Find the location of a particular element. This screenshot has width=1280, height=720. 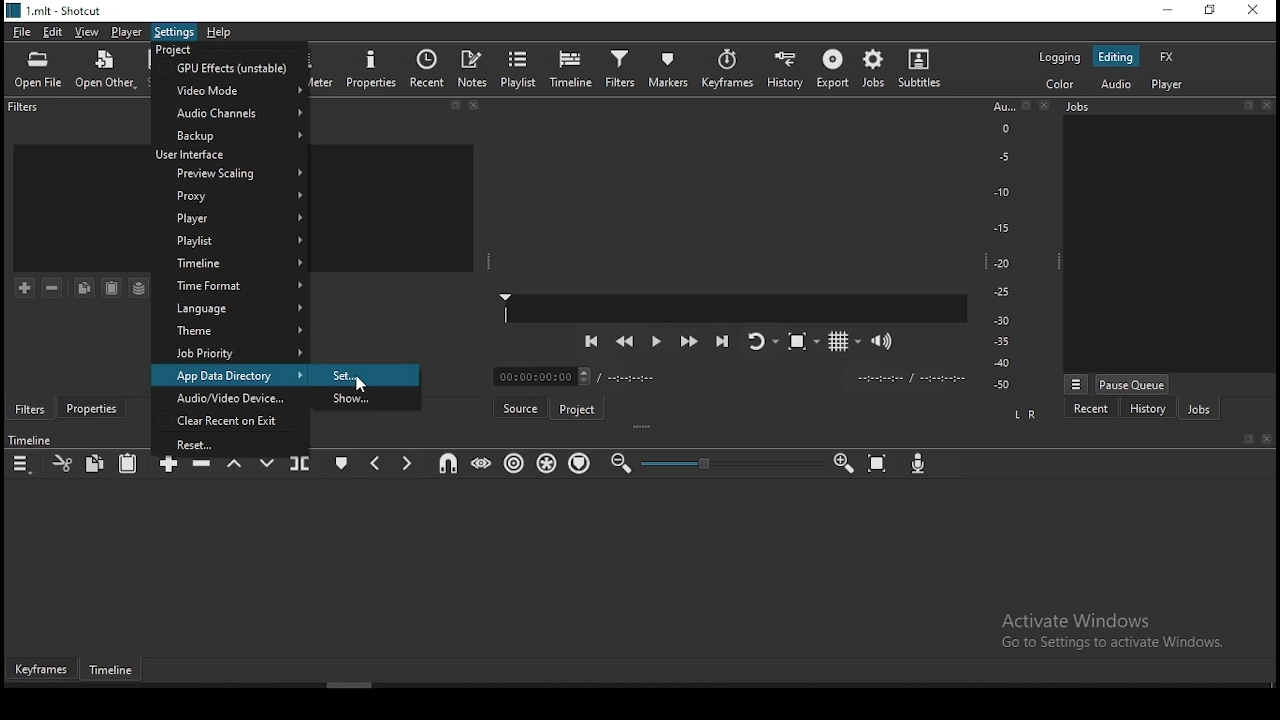

proxy is located at coordinates (230, 196).